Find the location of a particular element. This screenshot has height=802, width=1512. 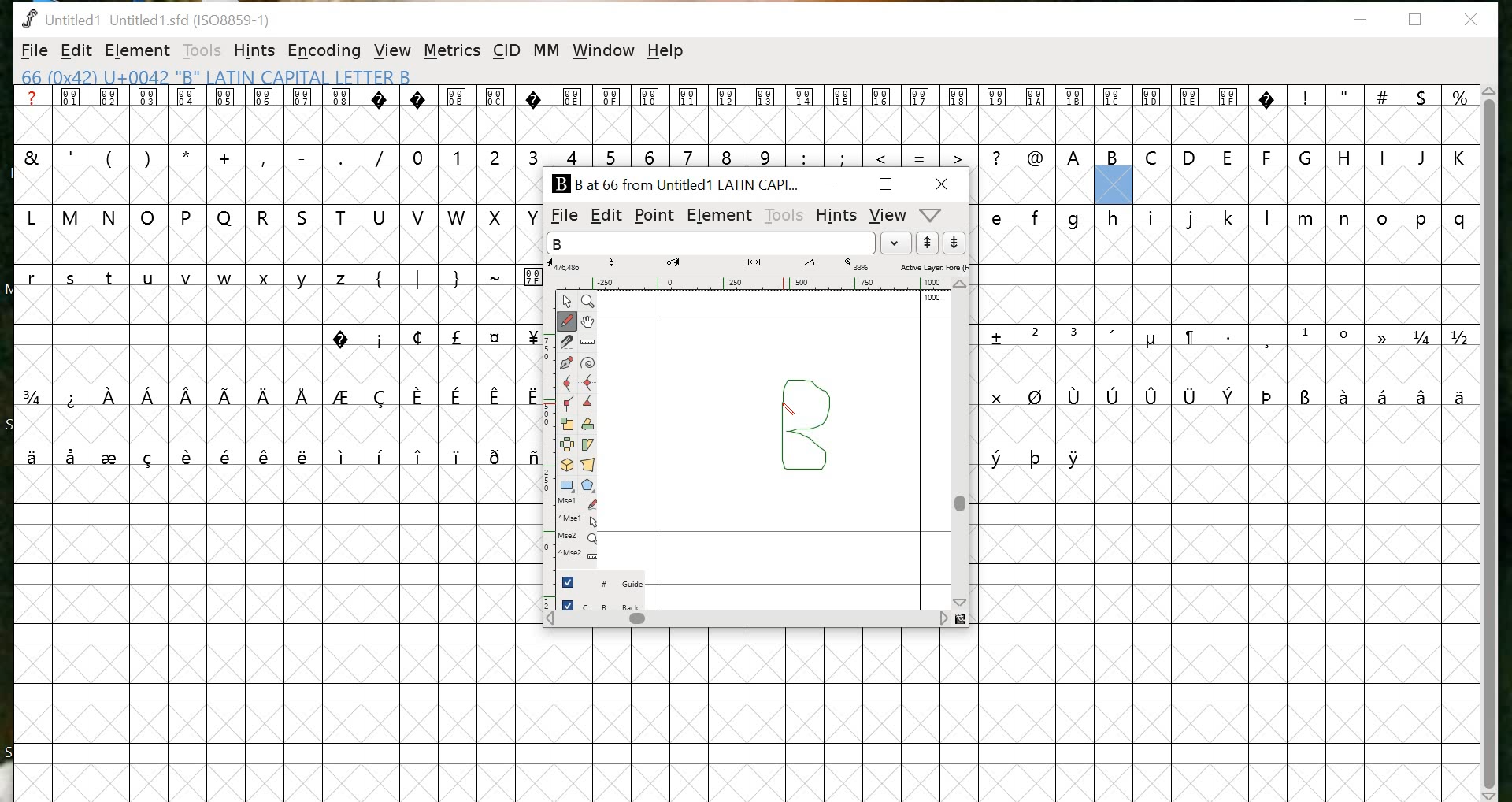

MM is located at coordinates (547, 51).